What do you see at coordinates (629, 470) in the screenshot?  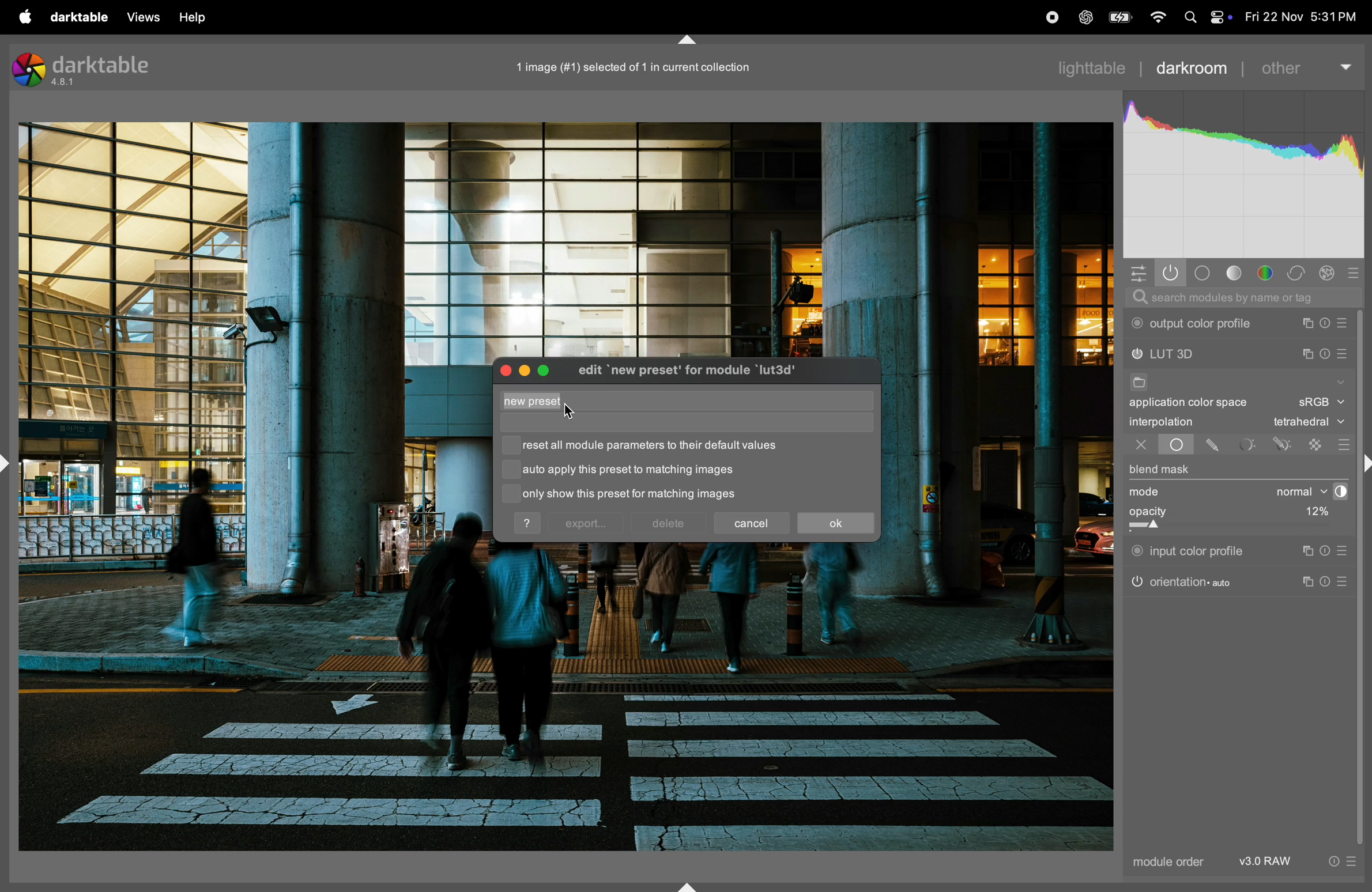 I see `auto apply presets to images` at bounding box center [629, 470].